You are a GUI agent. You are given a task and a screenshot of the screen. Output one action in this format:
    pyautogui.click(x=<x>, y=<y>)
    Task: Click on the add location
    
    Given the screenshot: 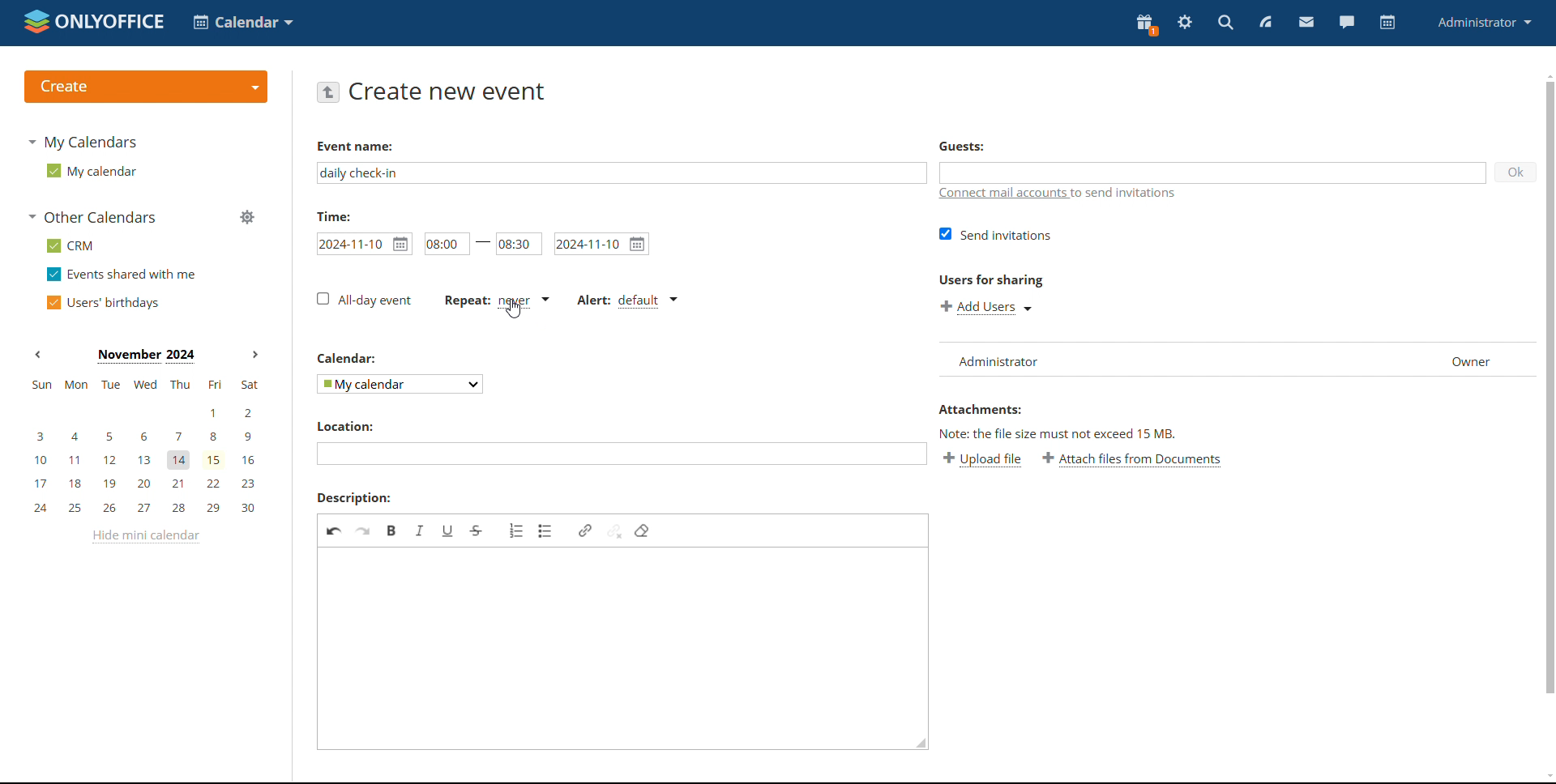 What is the action you would take?
    pyautogui.click(x=622, y=454)
    